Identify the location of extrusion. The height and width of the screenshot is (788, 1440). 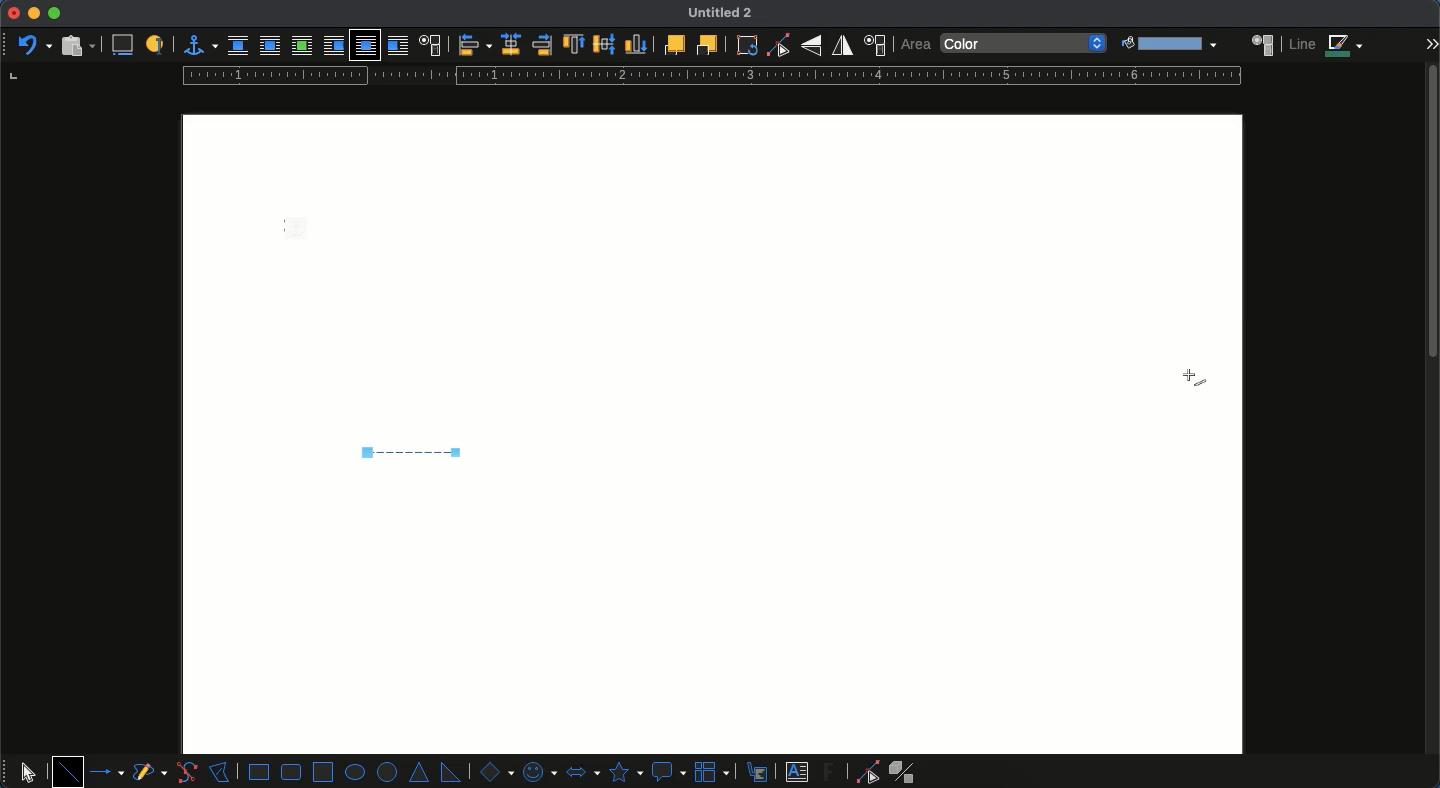
(906, 772).